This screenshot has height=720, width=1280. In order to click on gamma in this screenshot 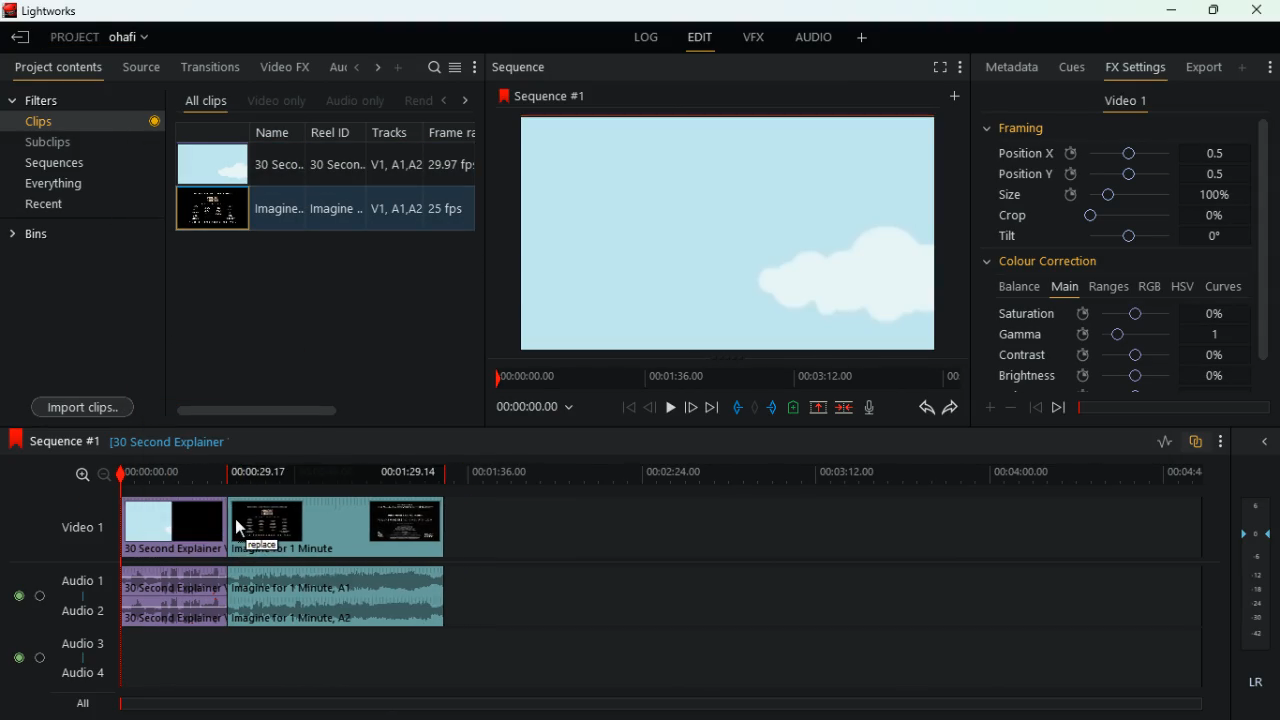, I will do `click(1110, 334)`.